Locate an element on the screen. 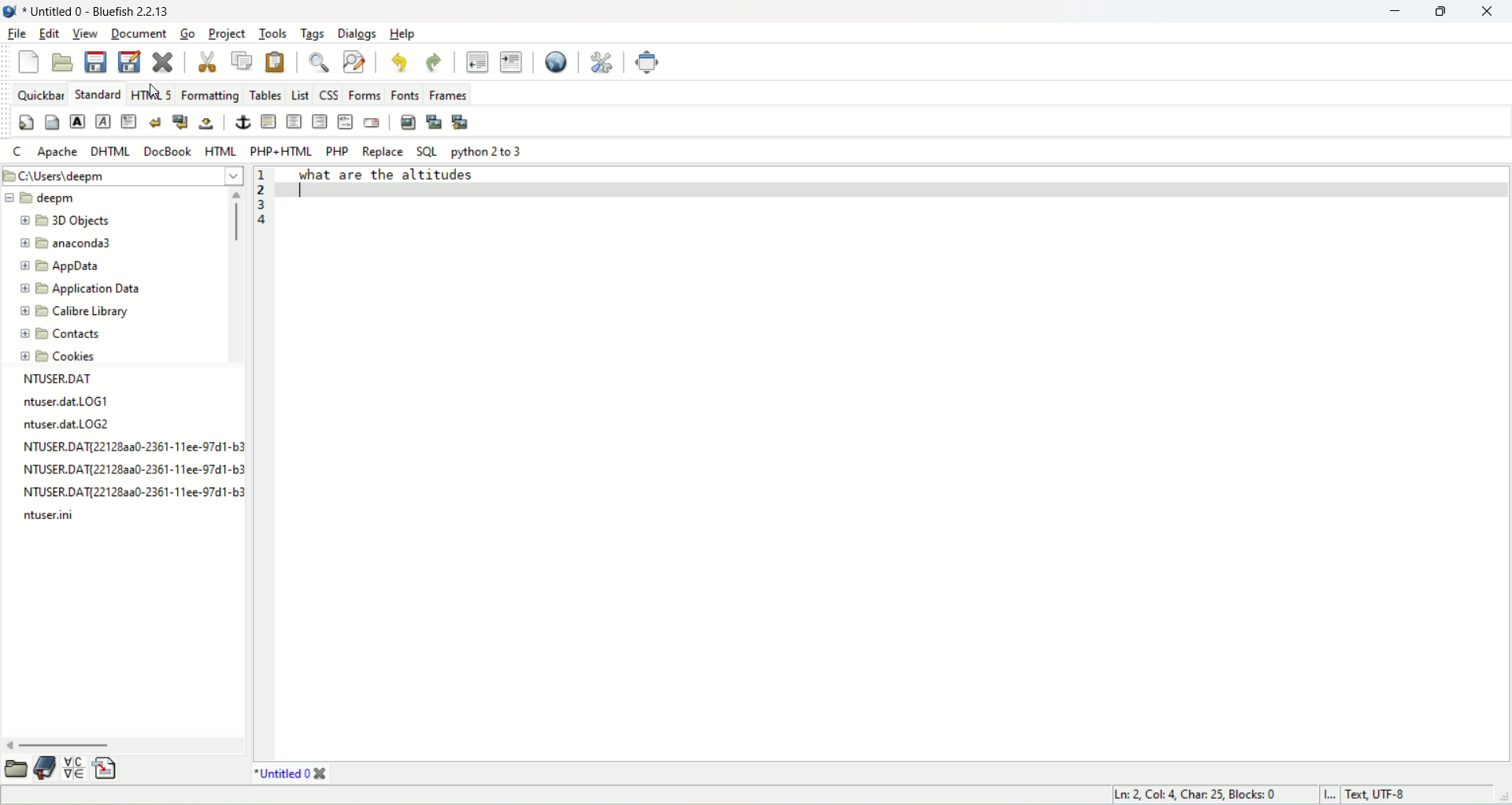 The height and width of the screenshot is (805, 1512). cut is located at coordinates (209, 61).